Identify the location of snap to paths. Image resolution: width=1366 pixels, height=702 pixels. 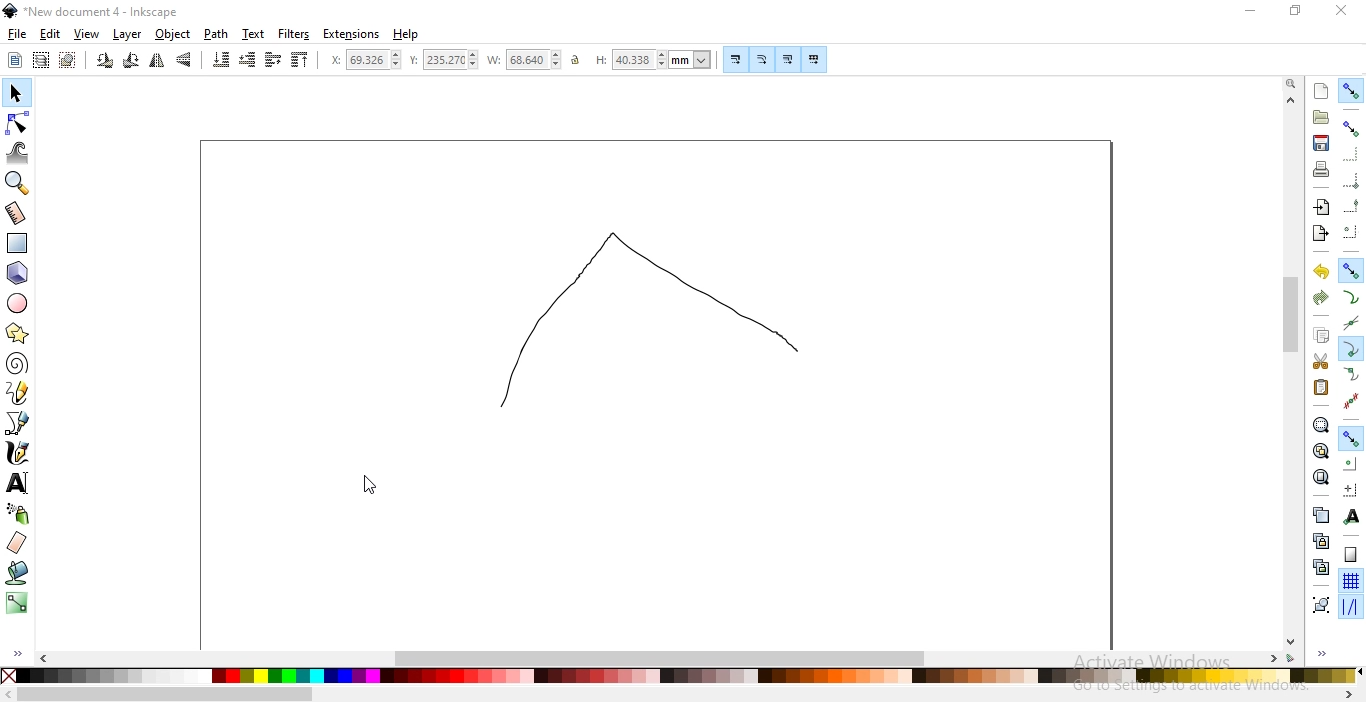
(1350, 297).